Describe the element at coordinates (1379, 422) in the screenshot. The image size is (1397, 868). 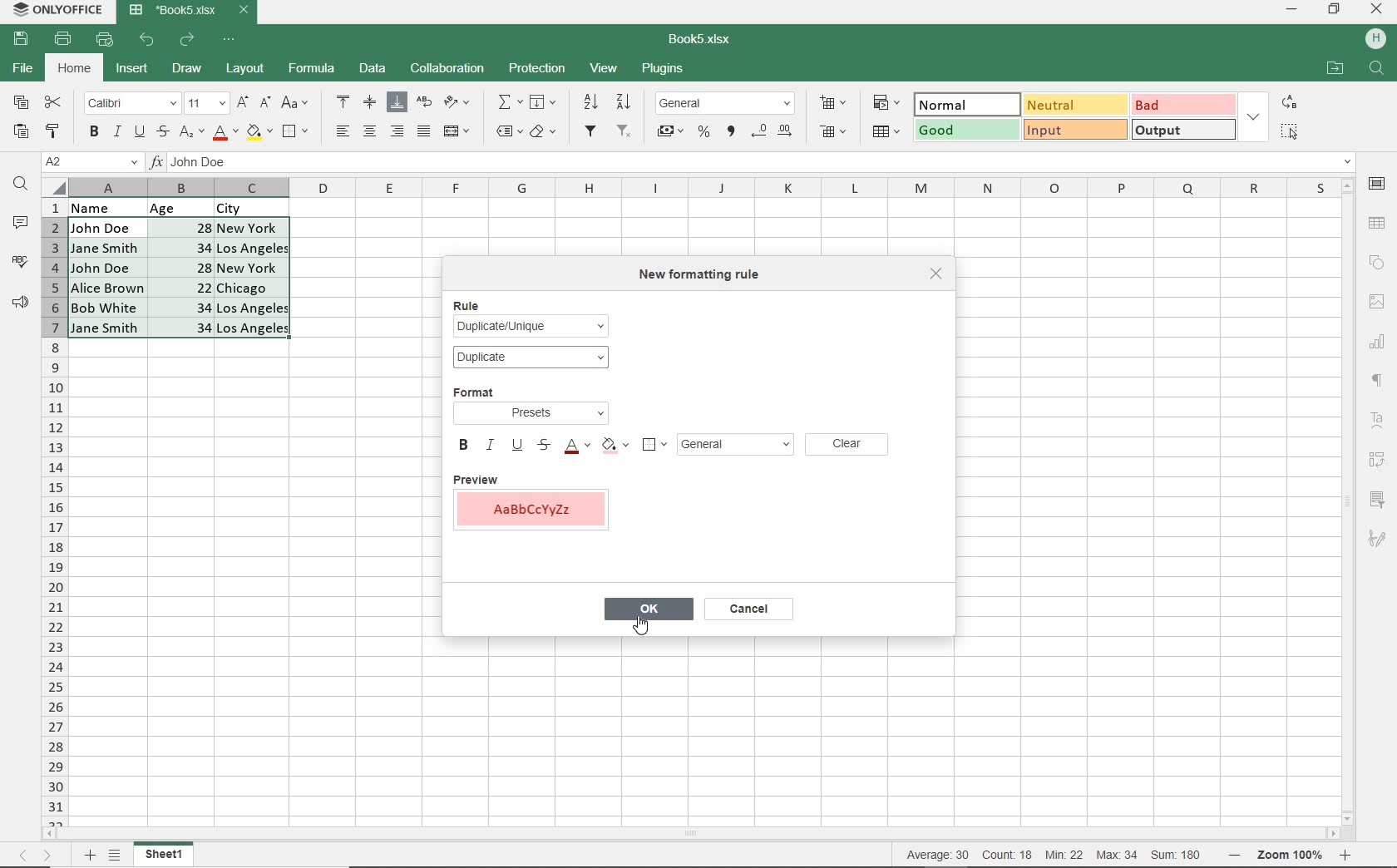
I see `TEXT ART` at that location.